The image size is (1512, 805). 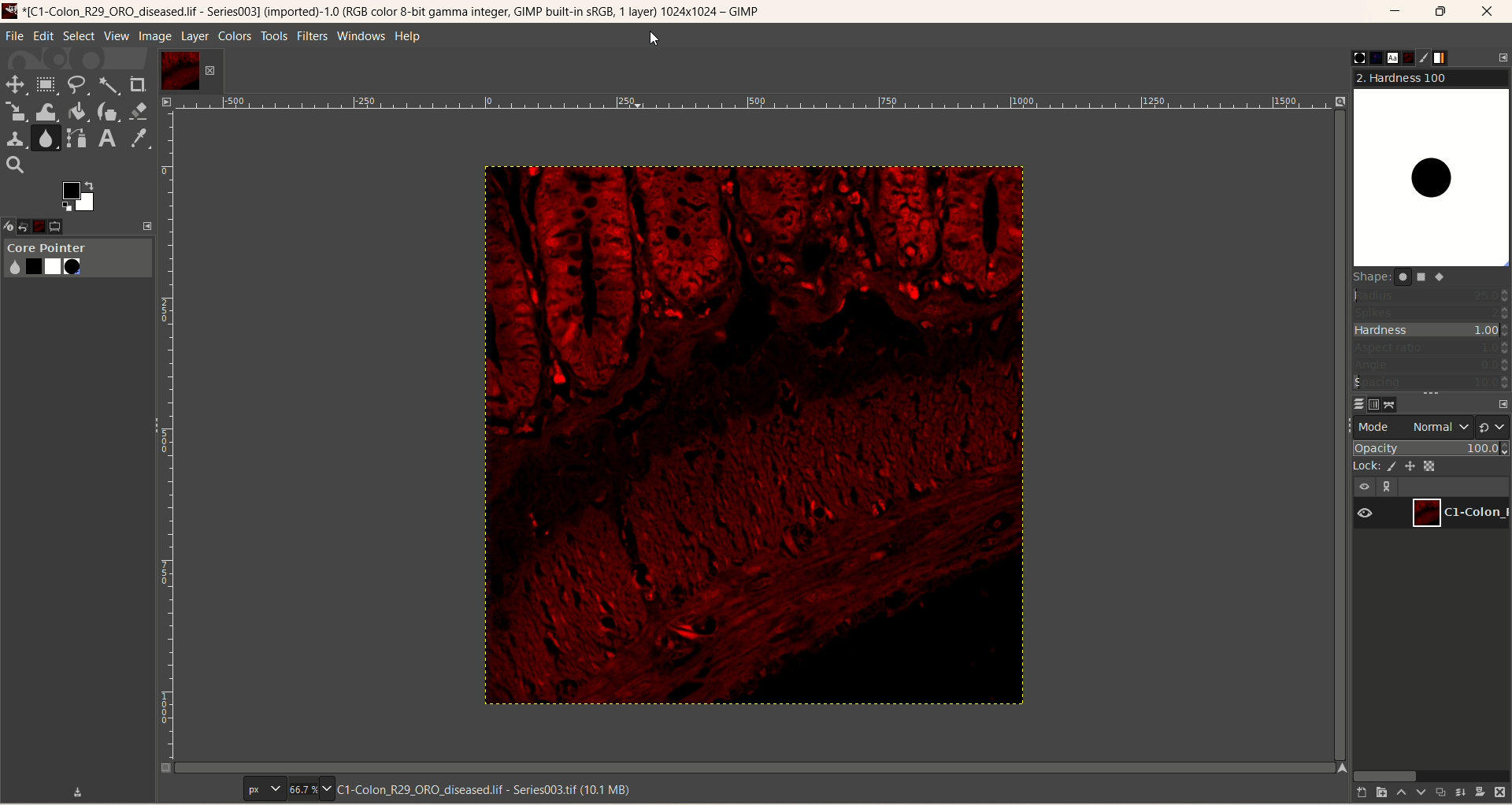 What do you see at coordinates (1395, 464) in the screenshot?
I see `lock pixel` at bounding box center [1395, 464].